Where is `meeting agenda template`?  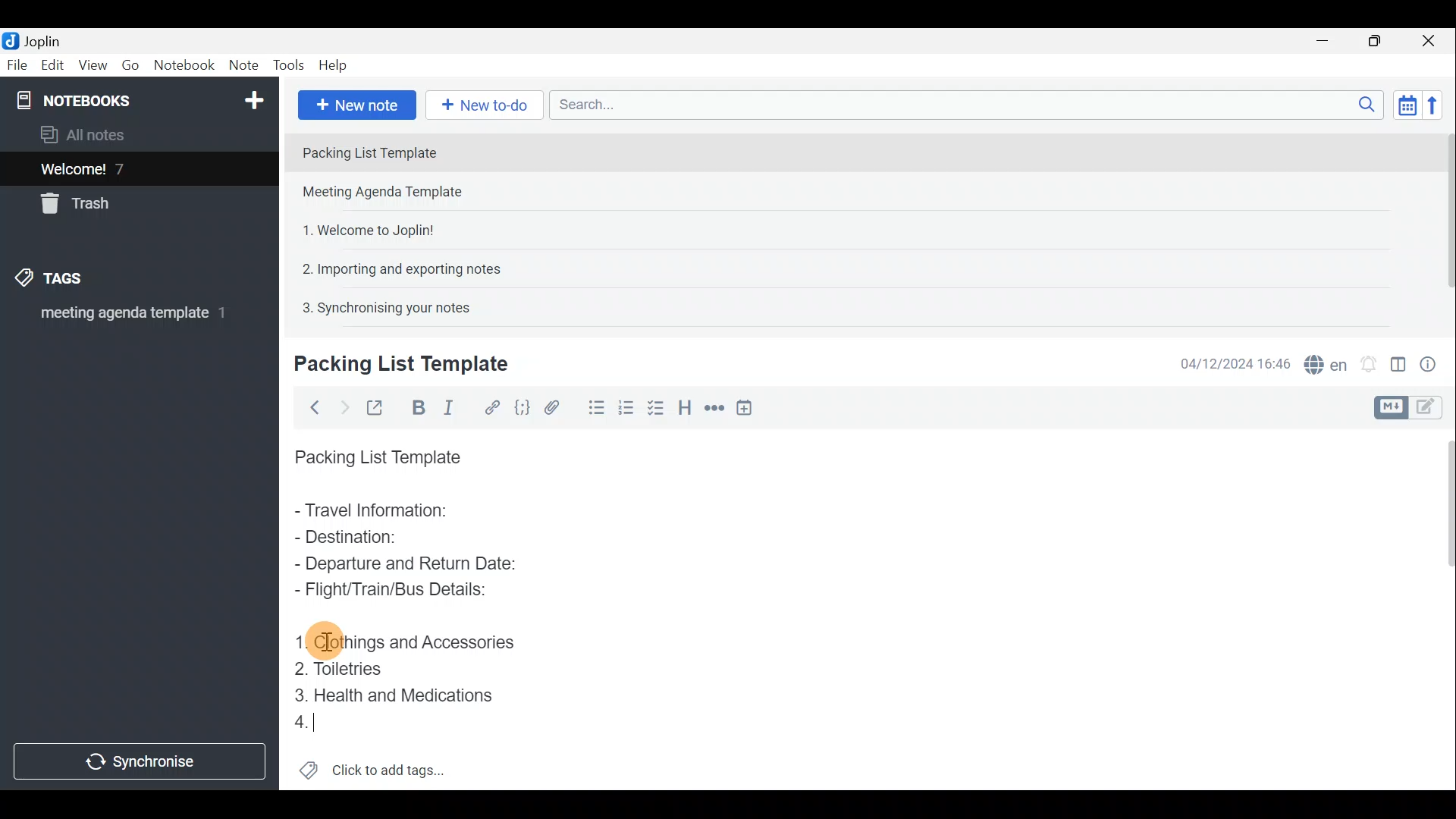 meeting agenda template is located at coordinates (130, 318).